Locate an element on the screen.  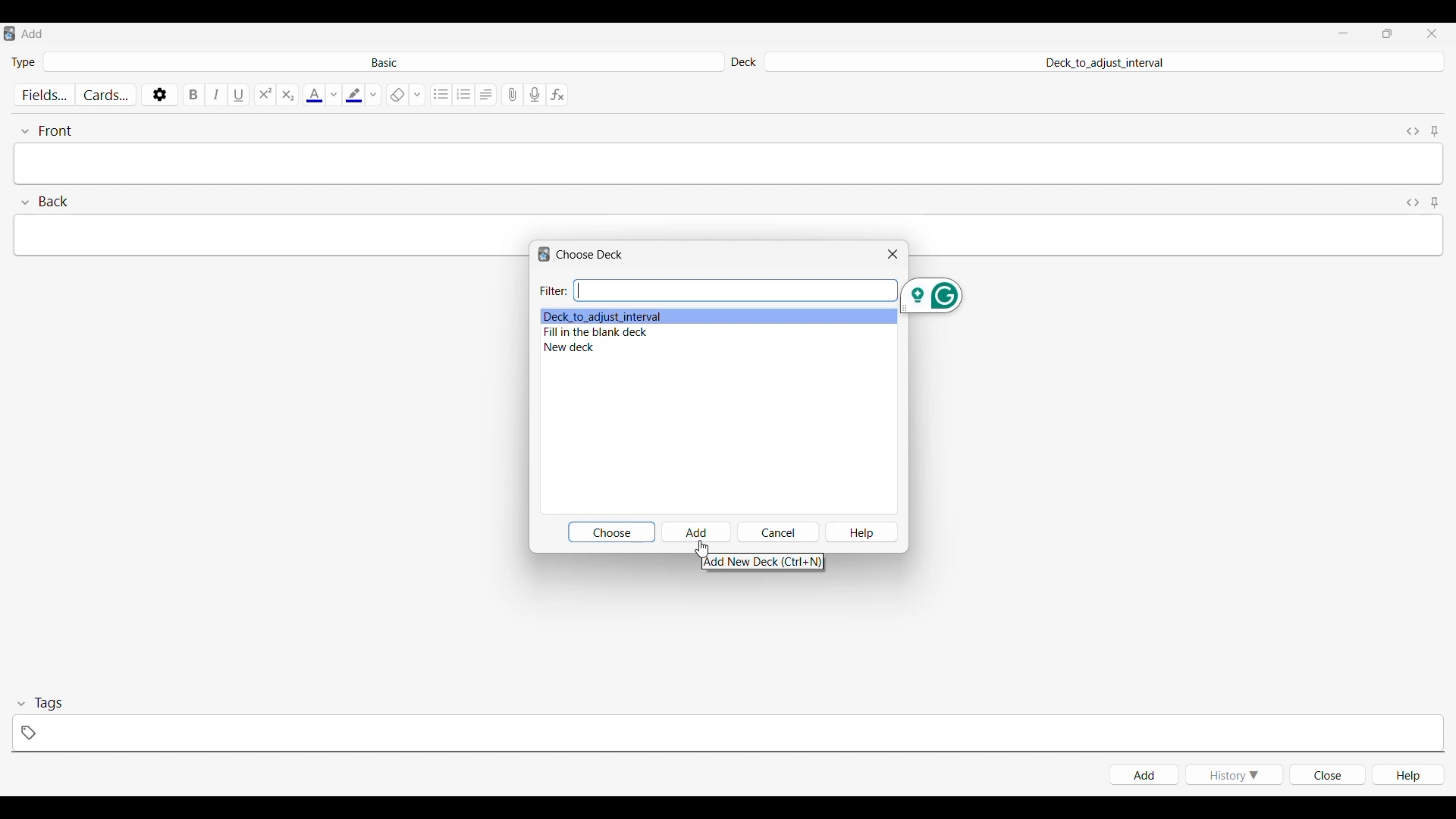
Attach pictures/audio/video is located at coordinates (513, 95).